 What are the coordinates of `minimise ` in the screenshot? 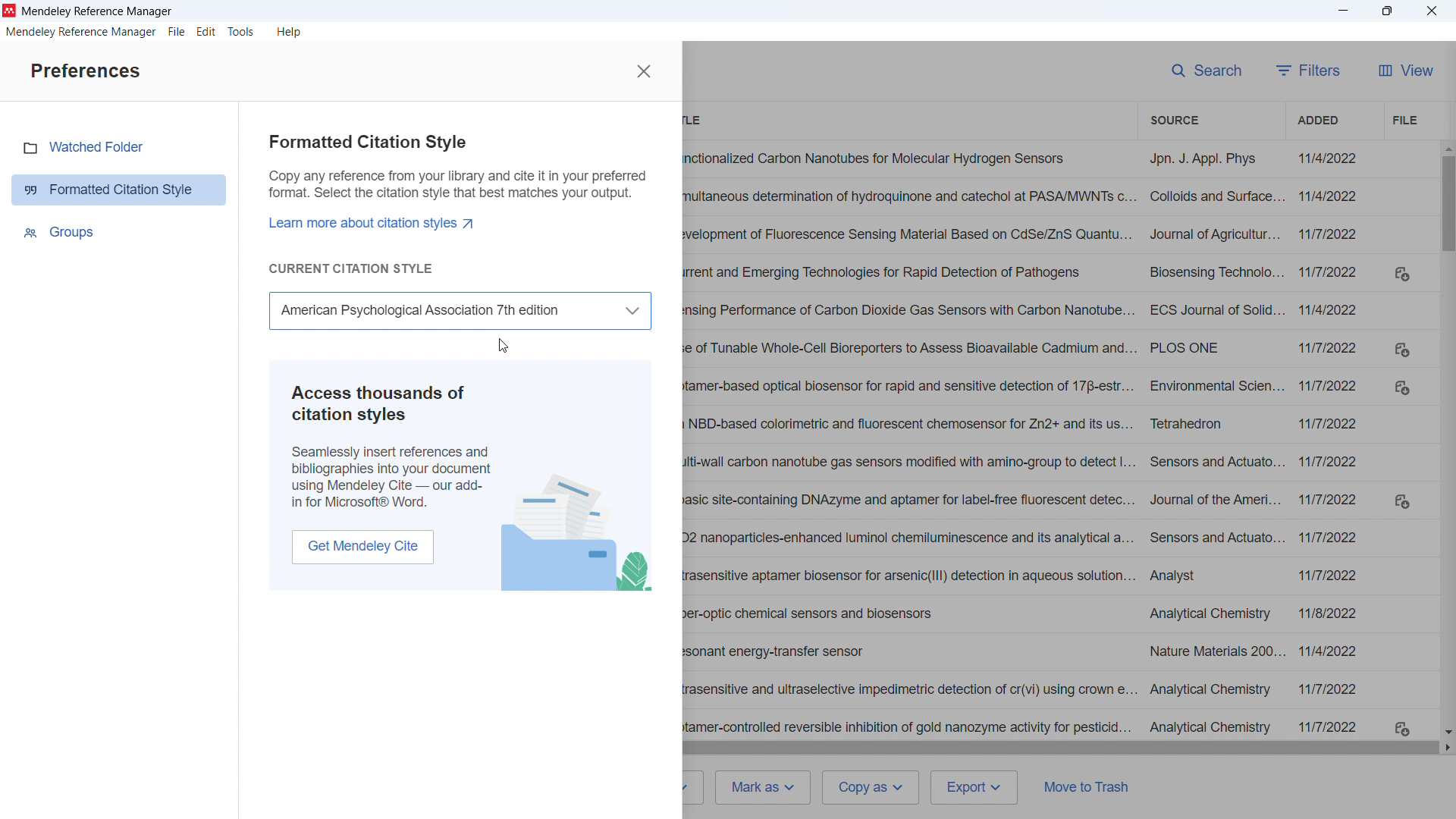 It's located at (1344, 11).